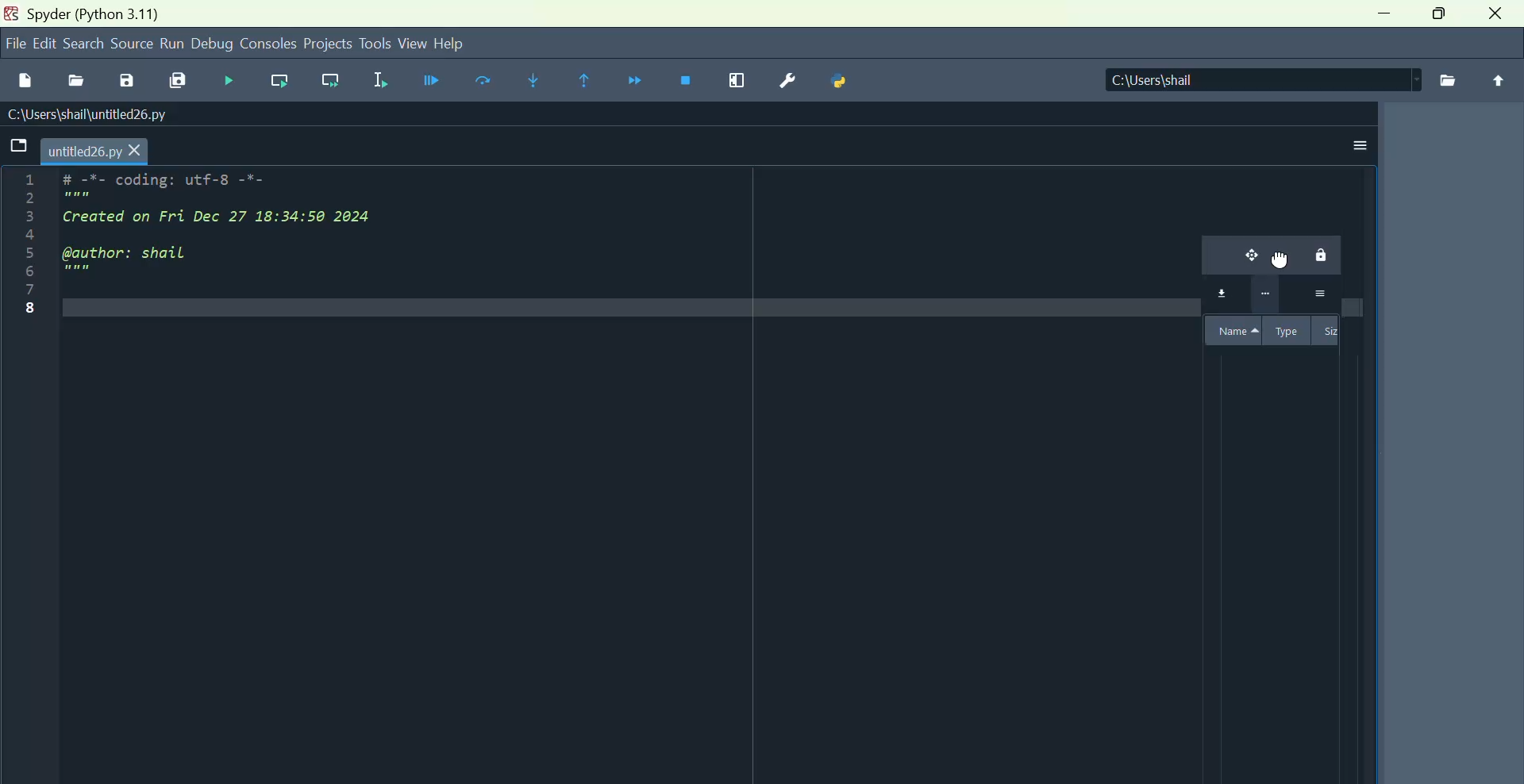 This screenshot has height=784, width=1524. I want to click on Run selection, so click(381, 79).